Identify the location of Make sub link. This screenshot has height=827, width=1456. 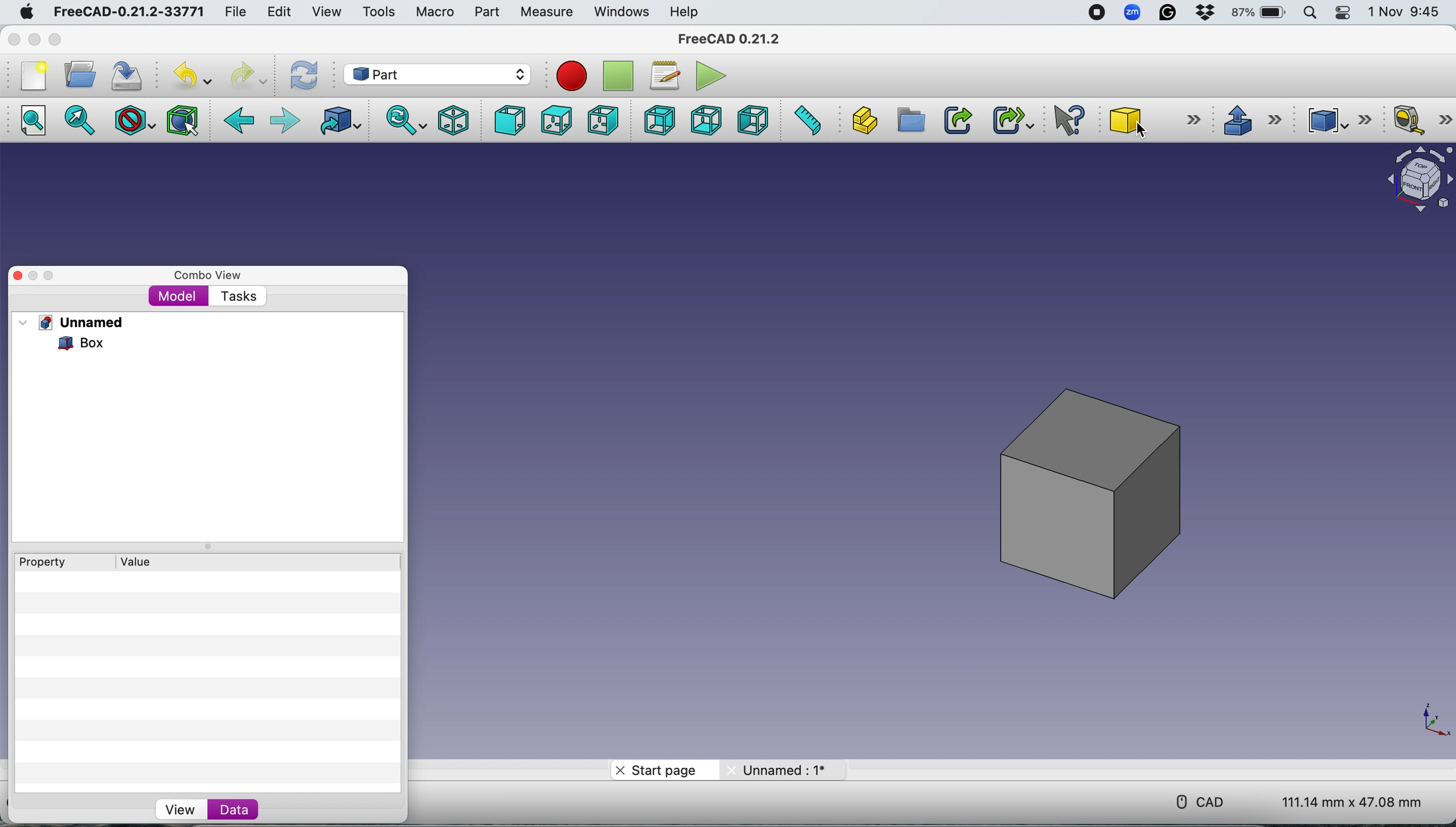
(1008, 118).